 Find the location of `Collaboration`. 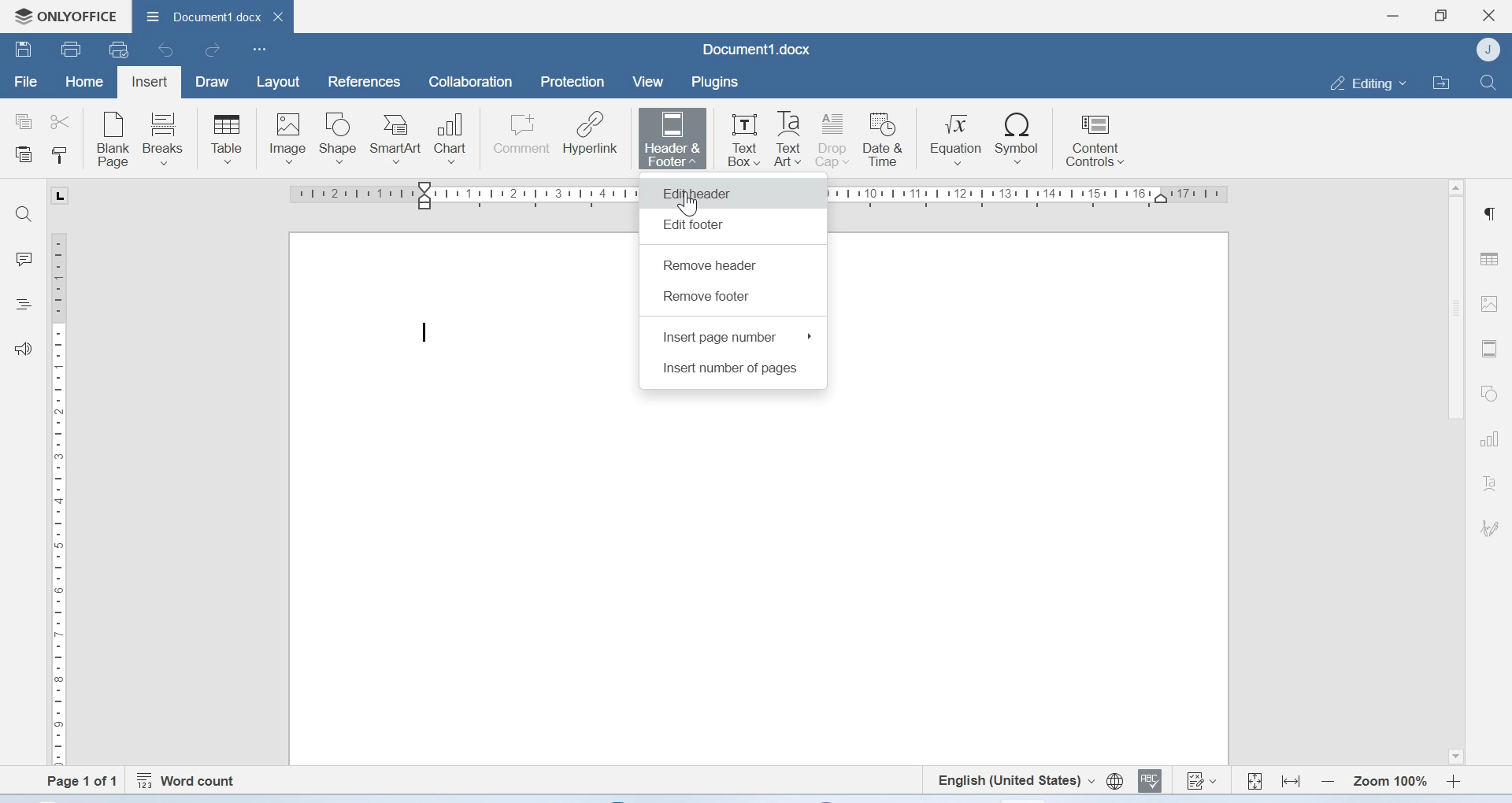

Collaboration is located at coordinates (471, 83).